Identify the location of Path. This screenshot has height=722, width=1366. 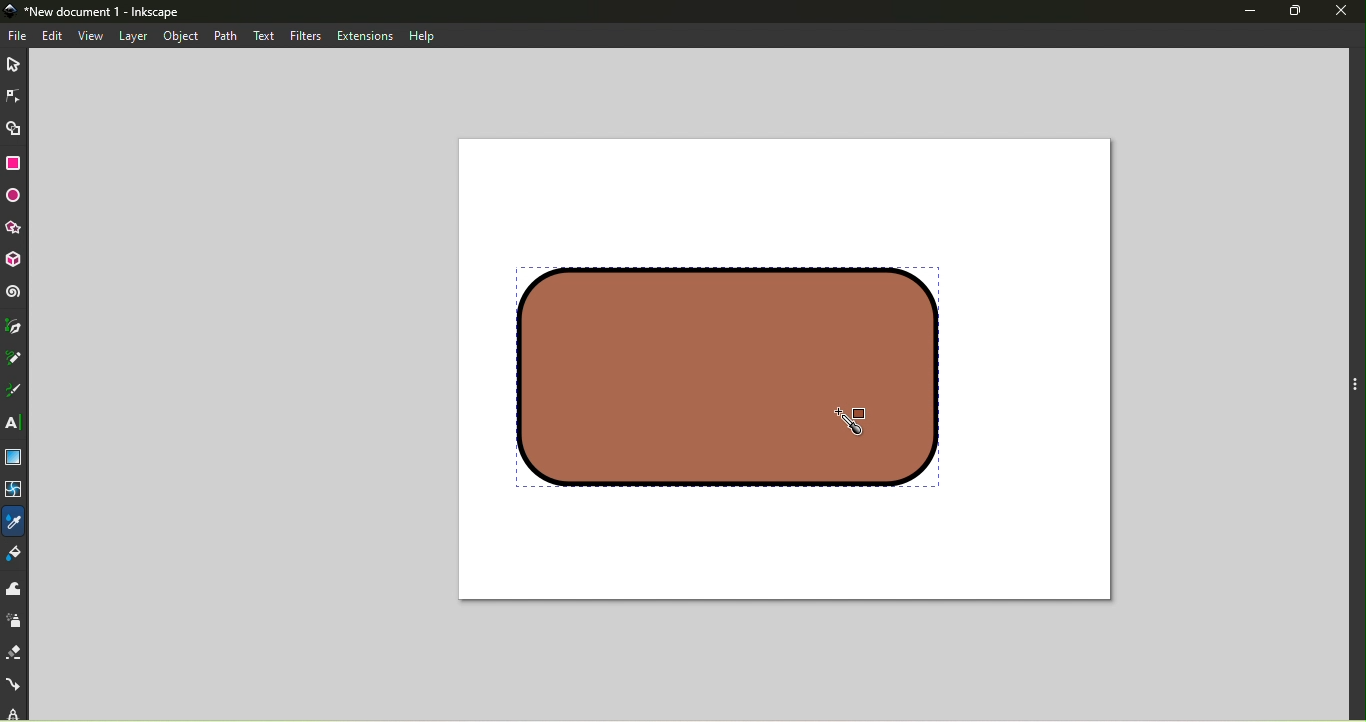
(230, 36).